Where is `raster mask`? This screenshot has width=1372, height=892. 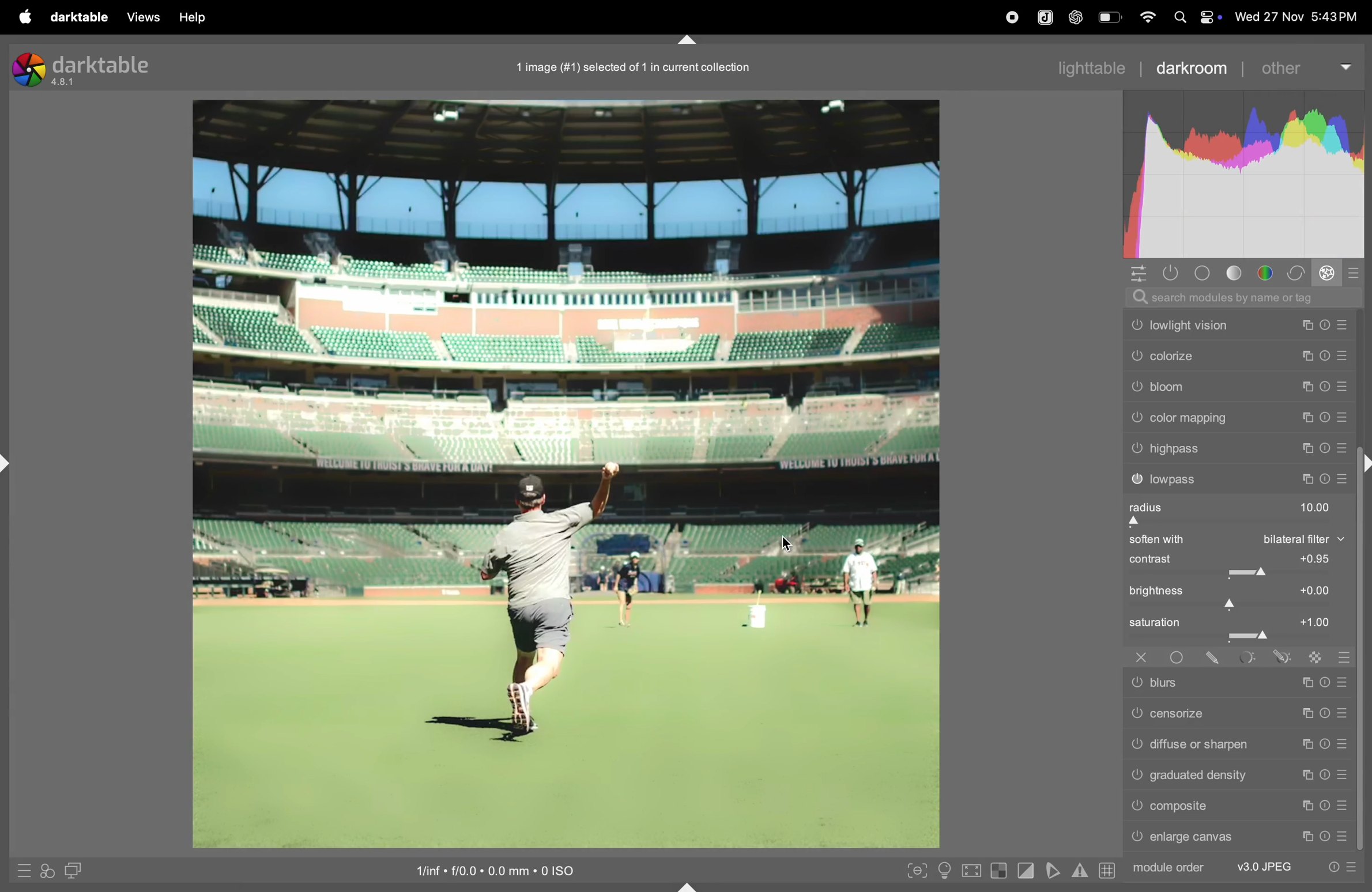
raster mask is located at coordinates (1314, 660).